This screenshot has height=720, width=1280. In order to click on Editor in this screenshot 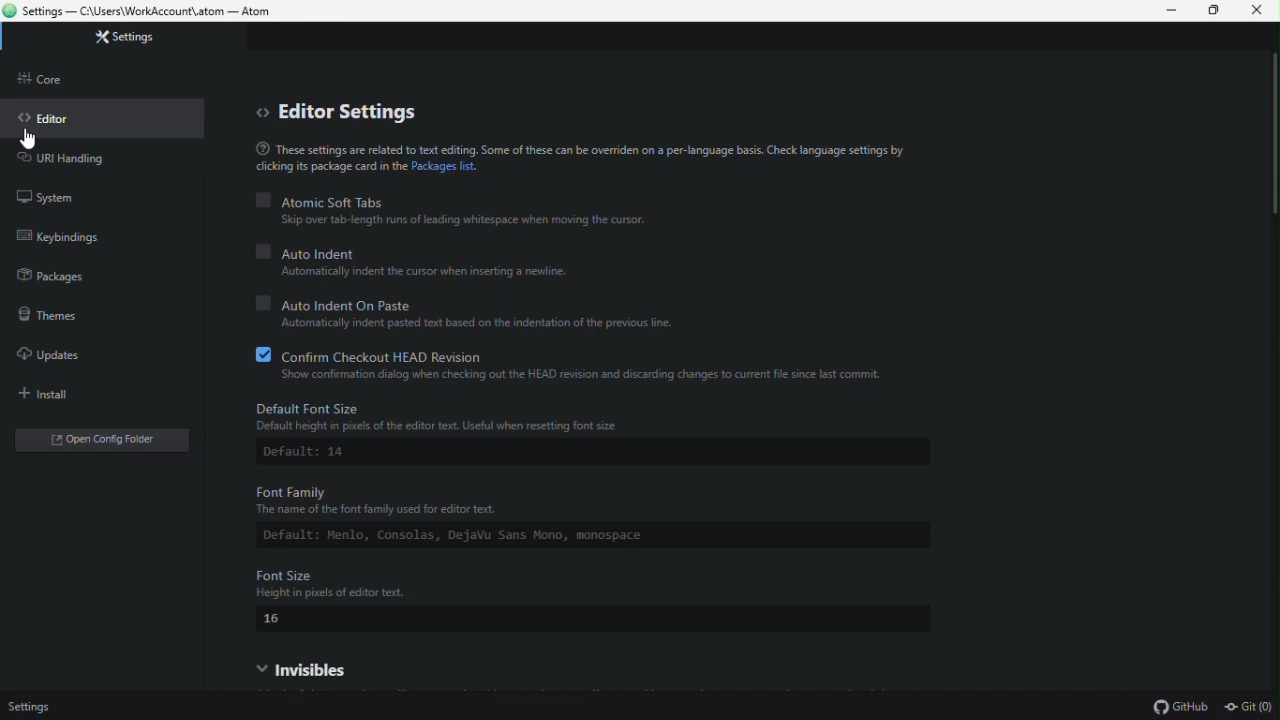, I will do `click(50, 119)`.